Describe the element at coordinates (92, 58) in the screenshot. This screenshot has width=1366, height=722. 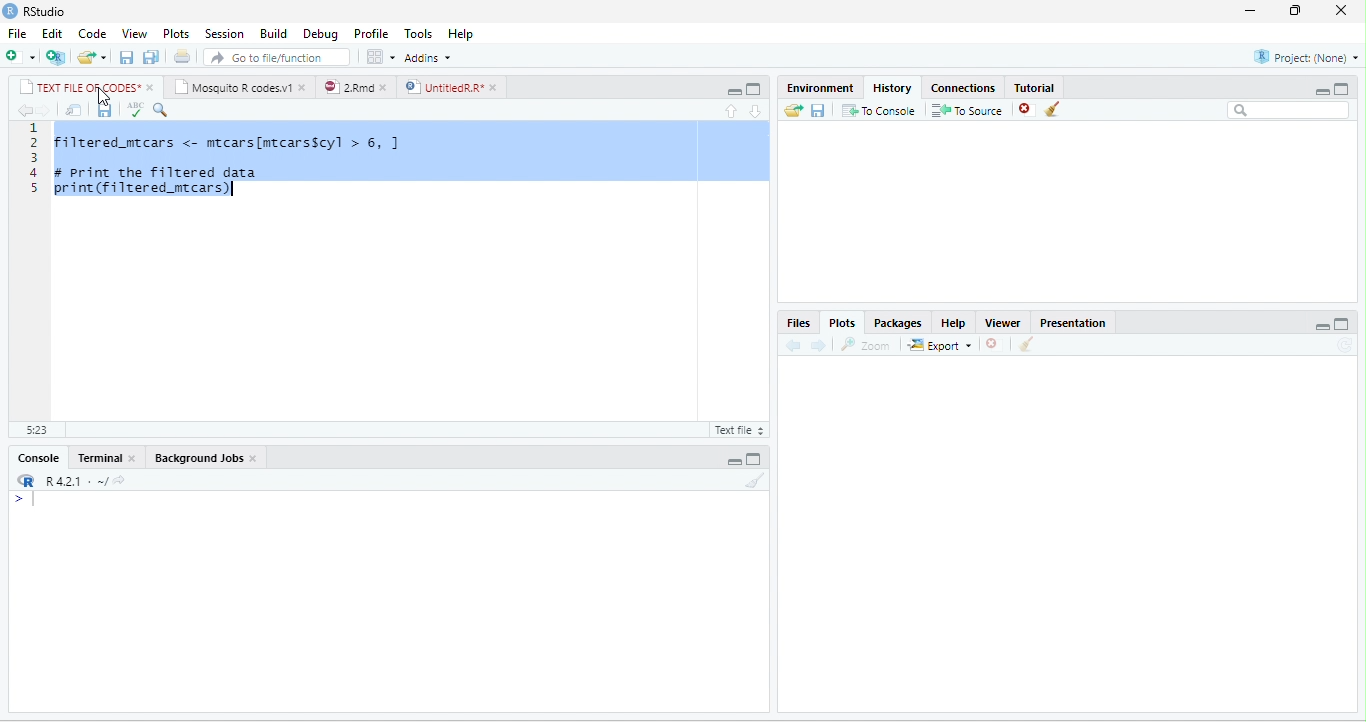
I see `open file` at that location.